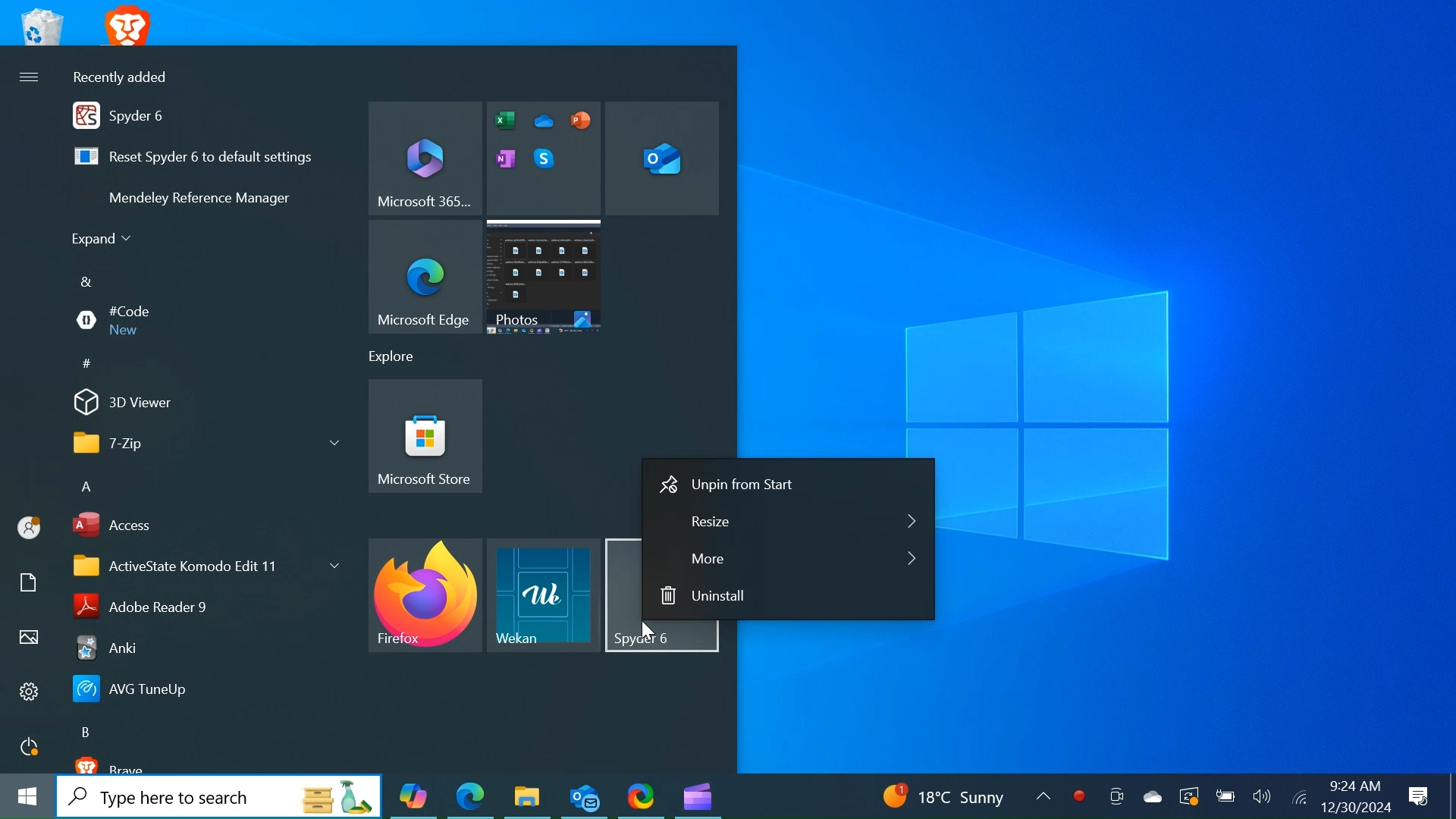  Describe the element at coordinates (199, 648) in the screenshot. I see `Anki` at that location.